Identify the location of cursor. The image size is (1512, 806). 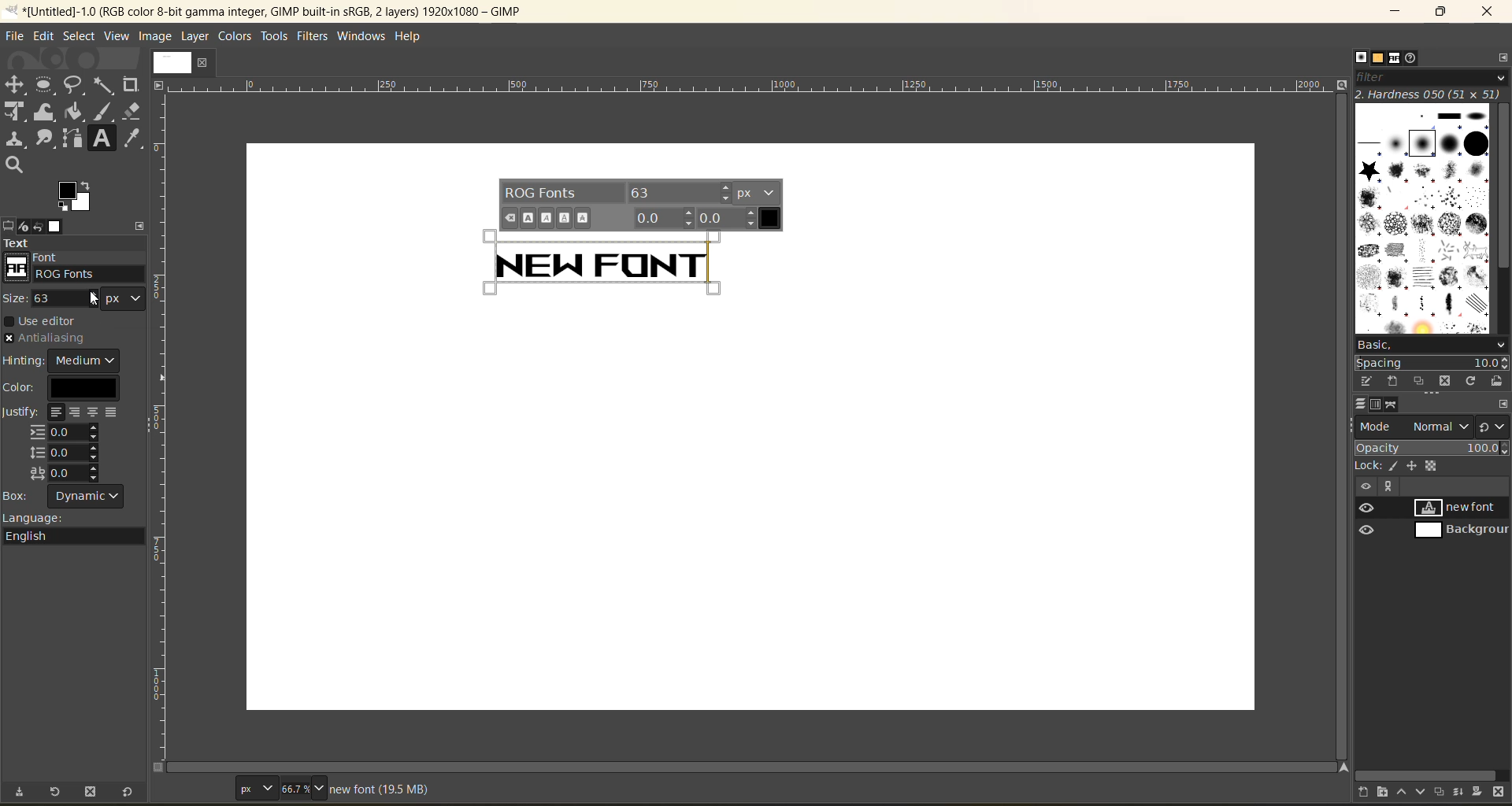
(26, 277).